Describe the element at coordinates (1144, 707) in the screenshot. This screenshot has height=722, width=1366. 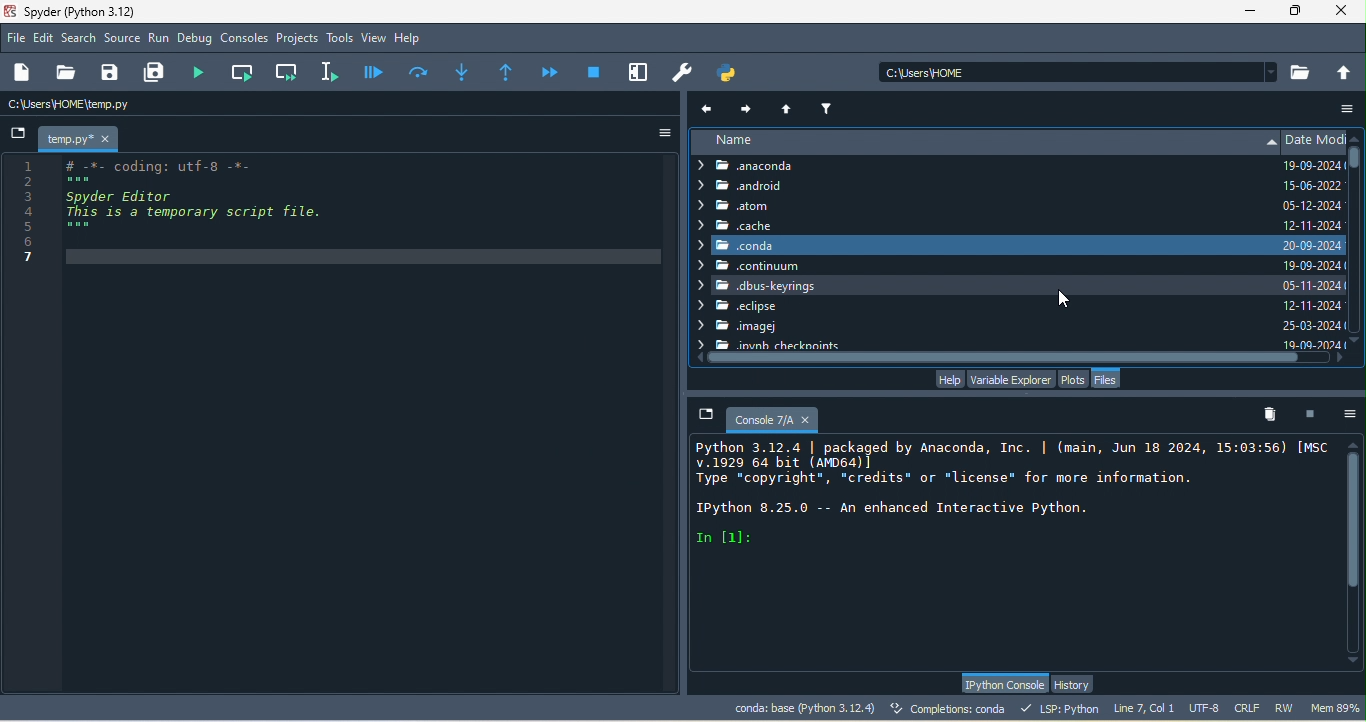
I see `line 7, col 1` at that location.